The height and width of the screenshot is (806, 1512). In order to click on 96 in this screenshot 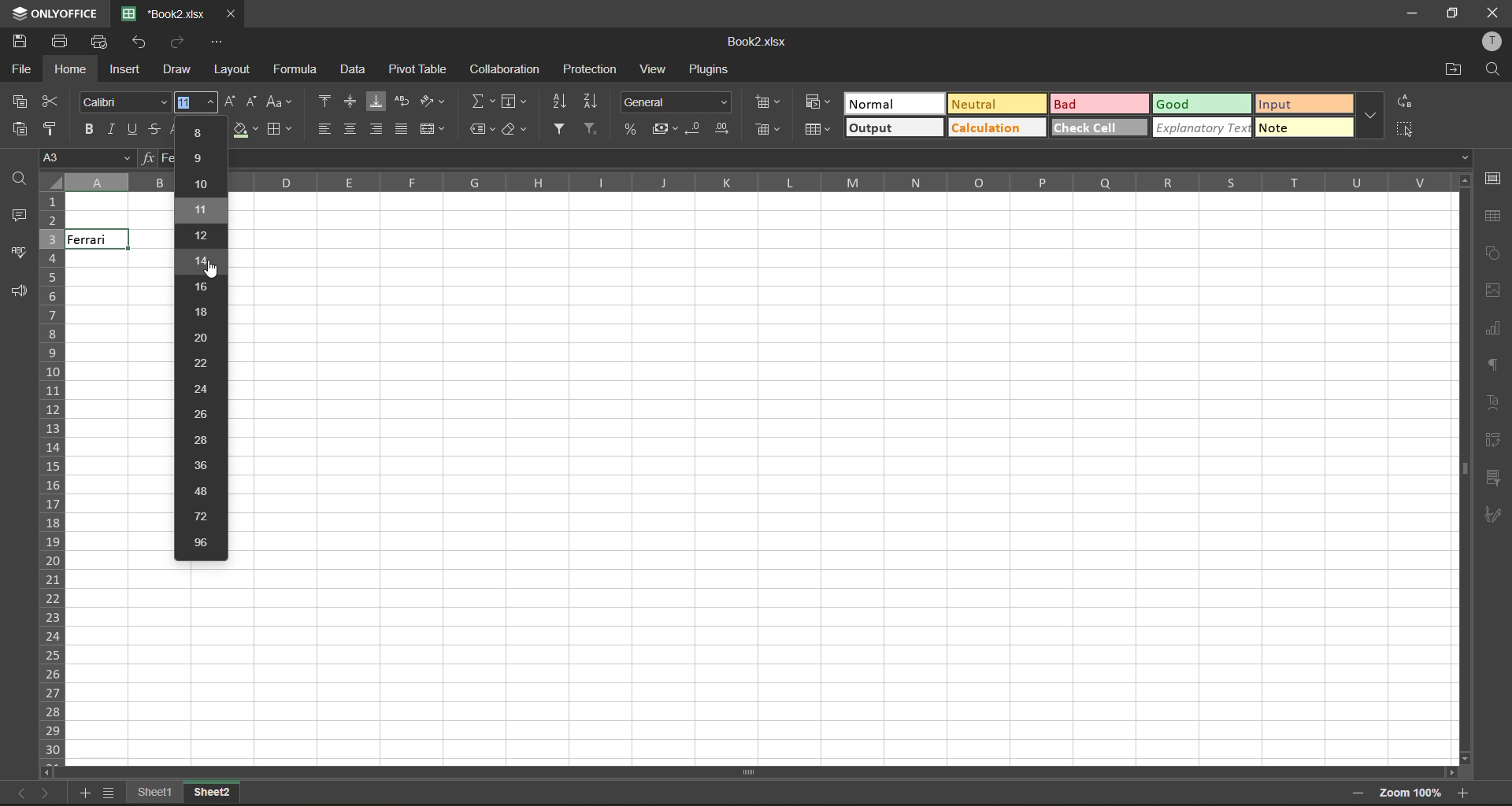, I will do `click(202, 542)`.